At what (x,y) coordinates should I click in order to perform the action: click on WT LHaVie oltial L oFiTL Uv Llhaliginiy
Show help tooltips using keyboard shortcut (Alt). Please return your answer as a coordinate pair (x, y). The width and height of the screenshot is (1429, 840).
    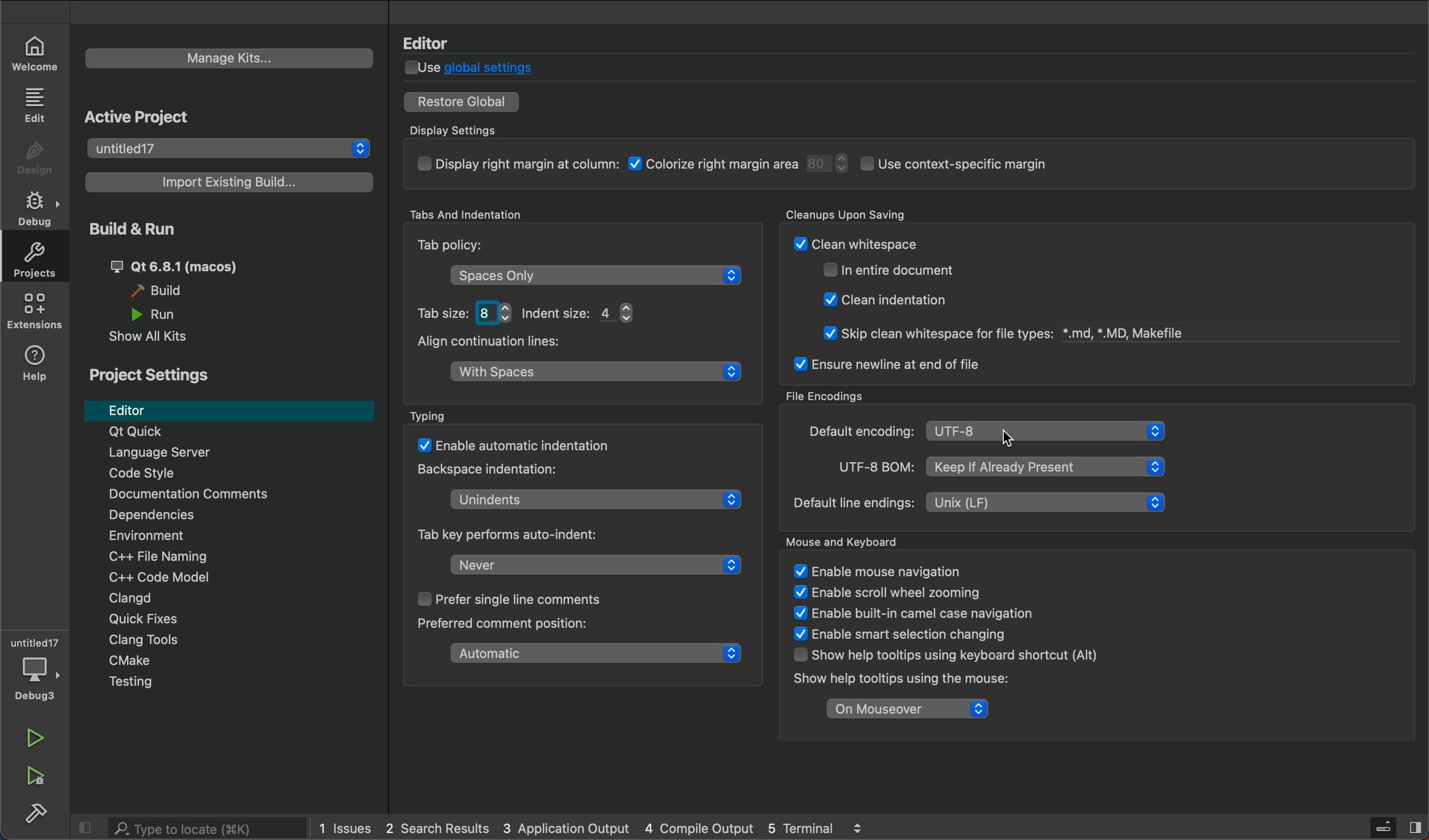
    Looking at the image, I should click on (942, 656).